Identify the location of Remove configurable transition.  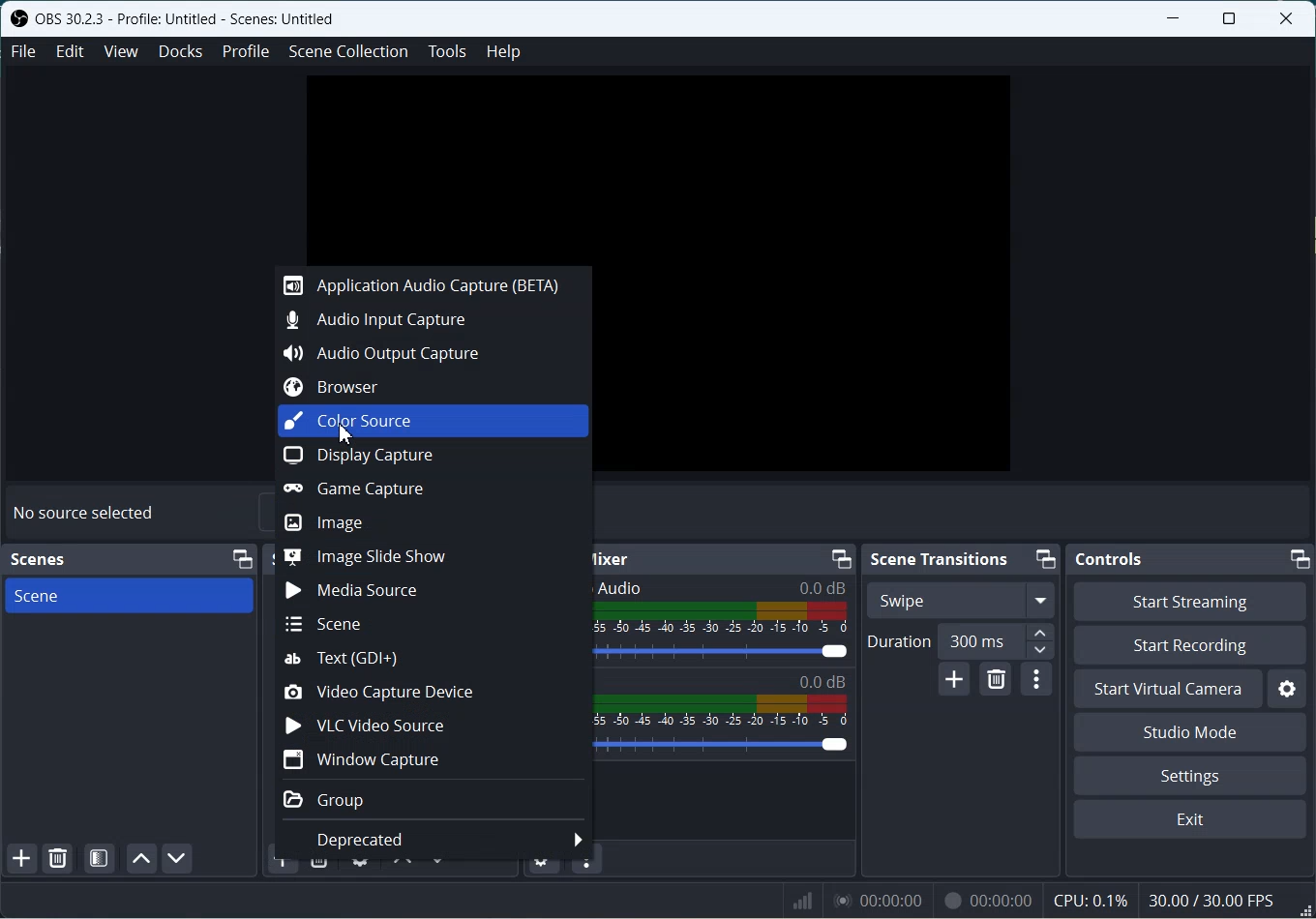
(997, 682).